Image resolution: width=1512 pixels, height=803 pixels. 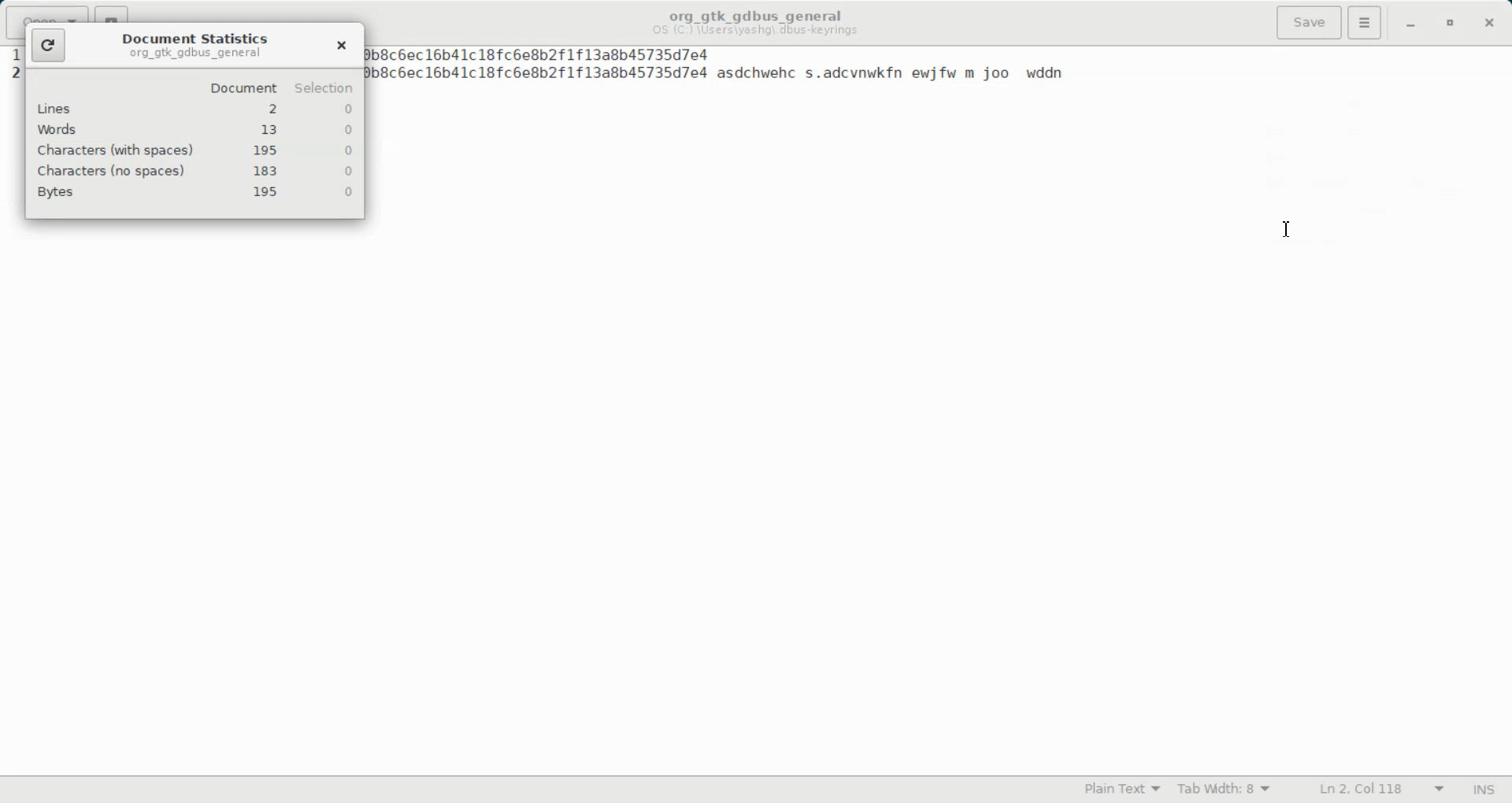 What do you see at coordinates (347, 128) in the screenshot?
I see `0` at bounding box center [347, 128].